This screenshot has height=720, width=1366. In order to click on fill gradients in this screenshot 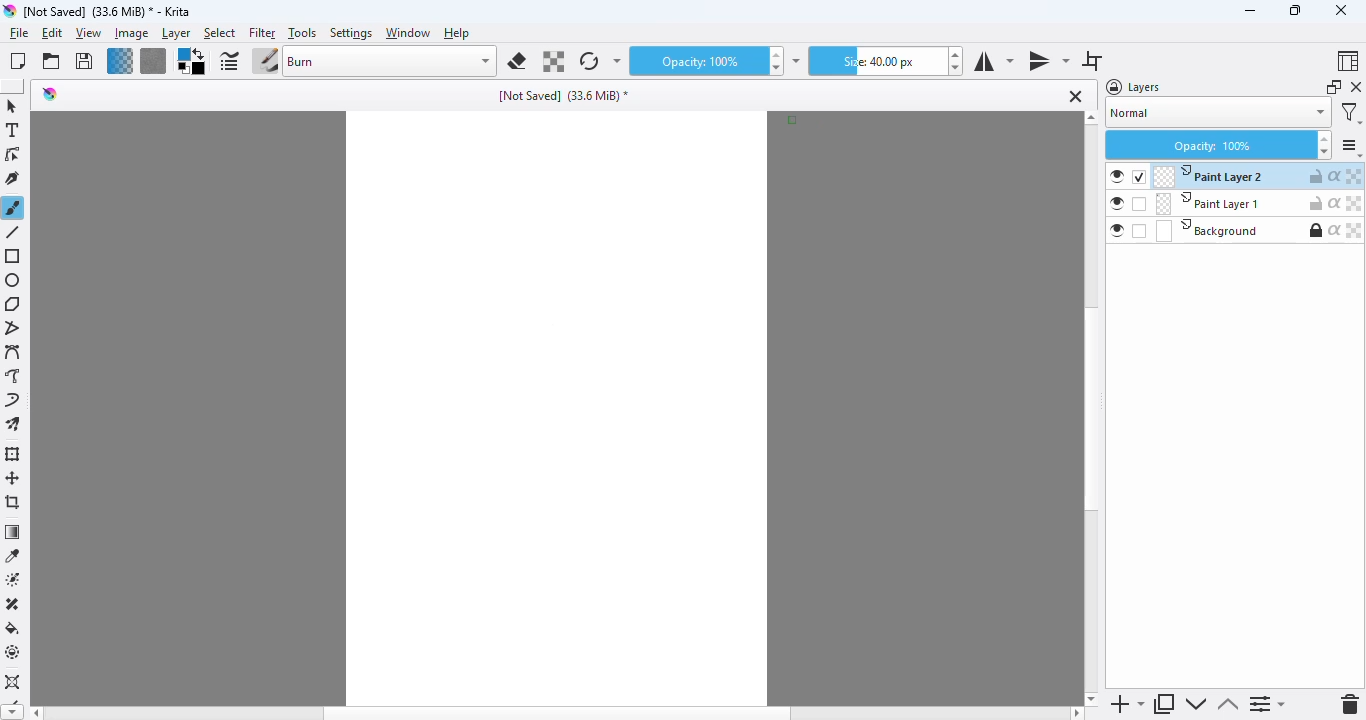, I will do `click(120, 61)`.